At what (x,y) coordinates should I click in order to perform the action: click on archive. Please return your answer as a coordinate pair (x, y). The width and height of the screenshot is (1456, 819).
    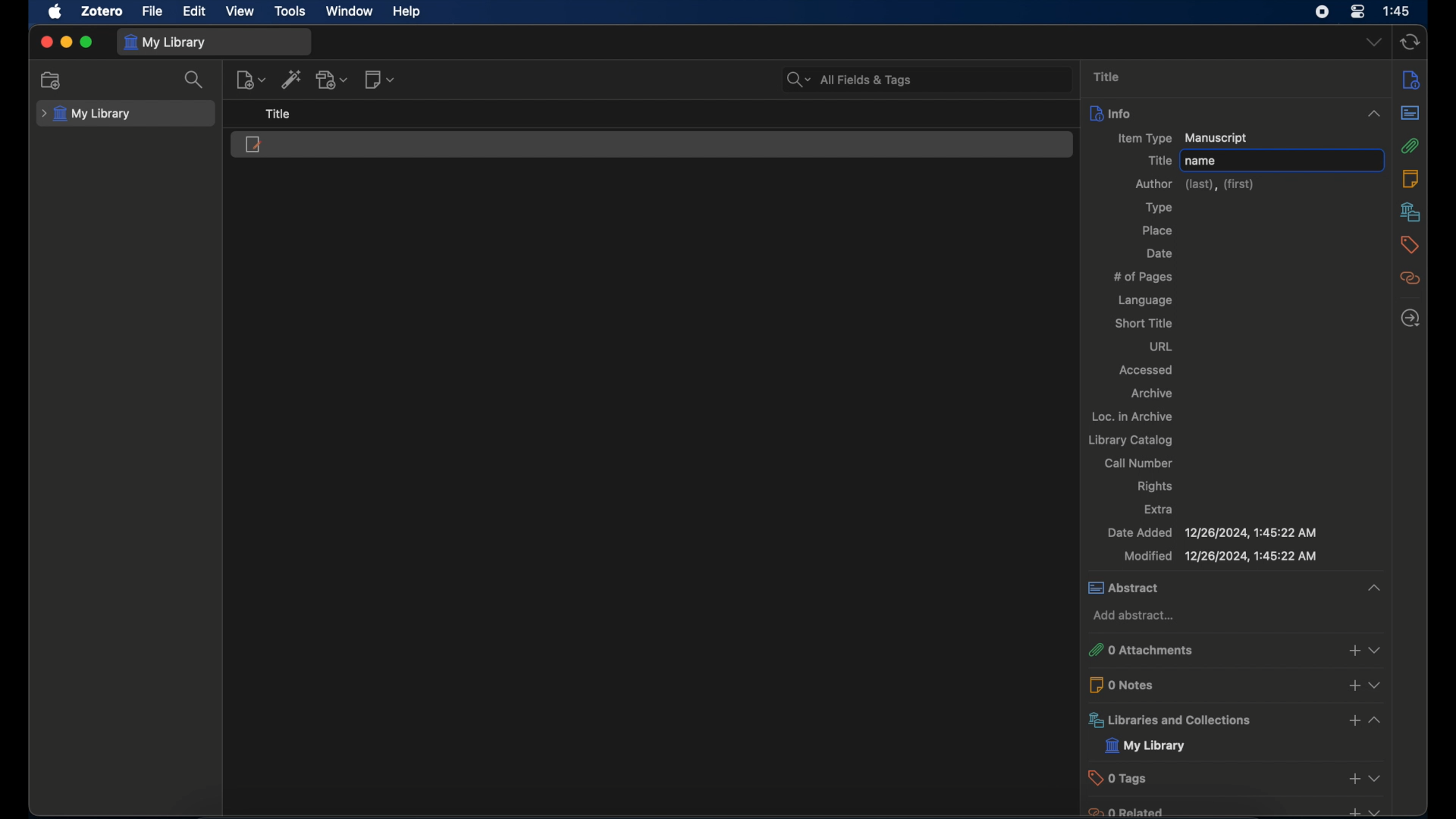
    Looking at the image, I should click on (1150, 393).